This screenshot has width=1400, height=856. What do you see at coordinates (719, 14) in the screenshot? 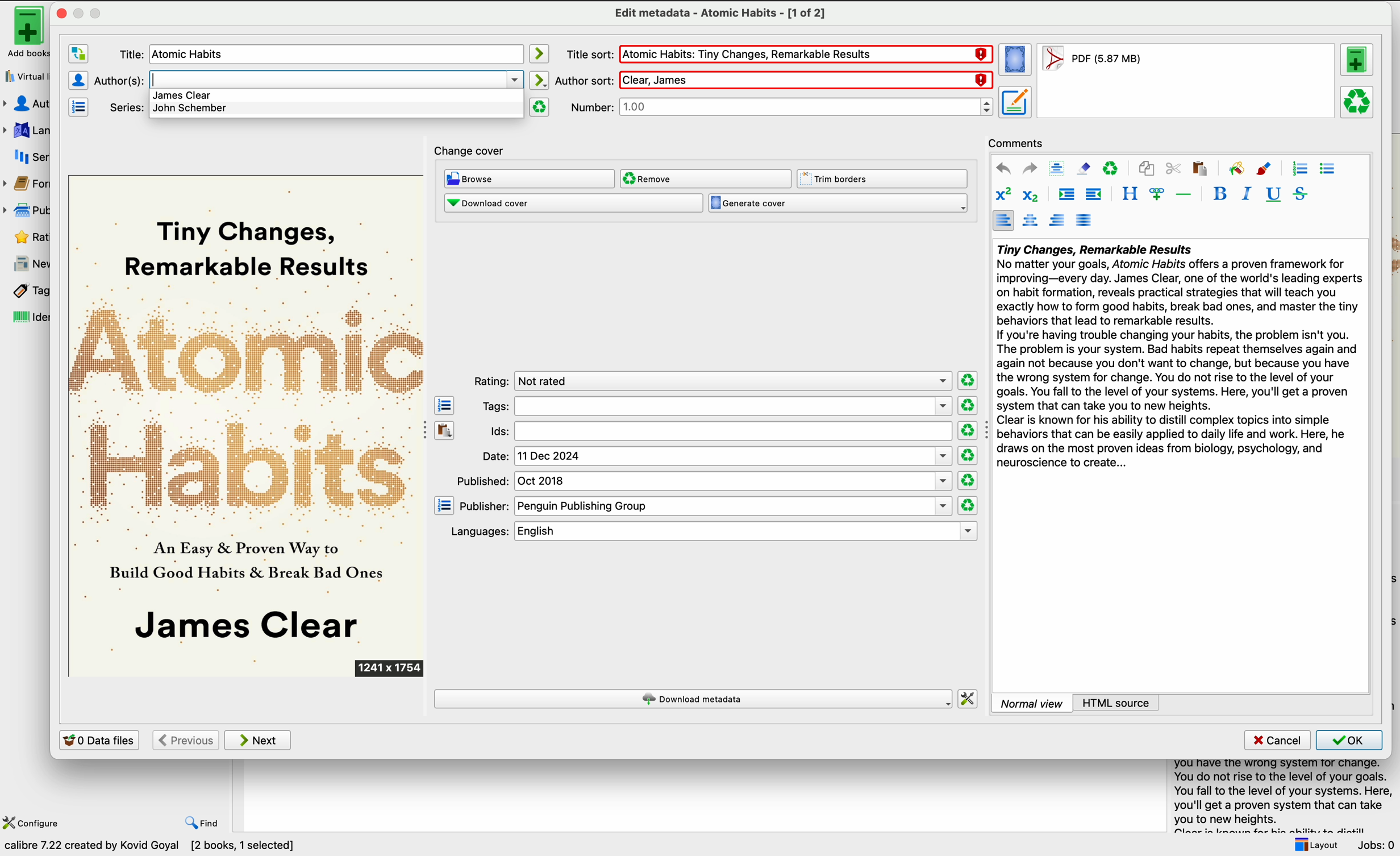
I see `edit metadata` at bounding box center [719, 14].